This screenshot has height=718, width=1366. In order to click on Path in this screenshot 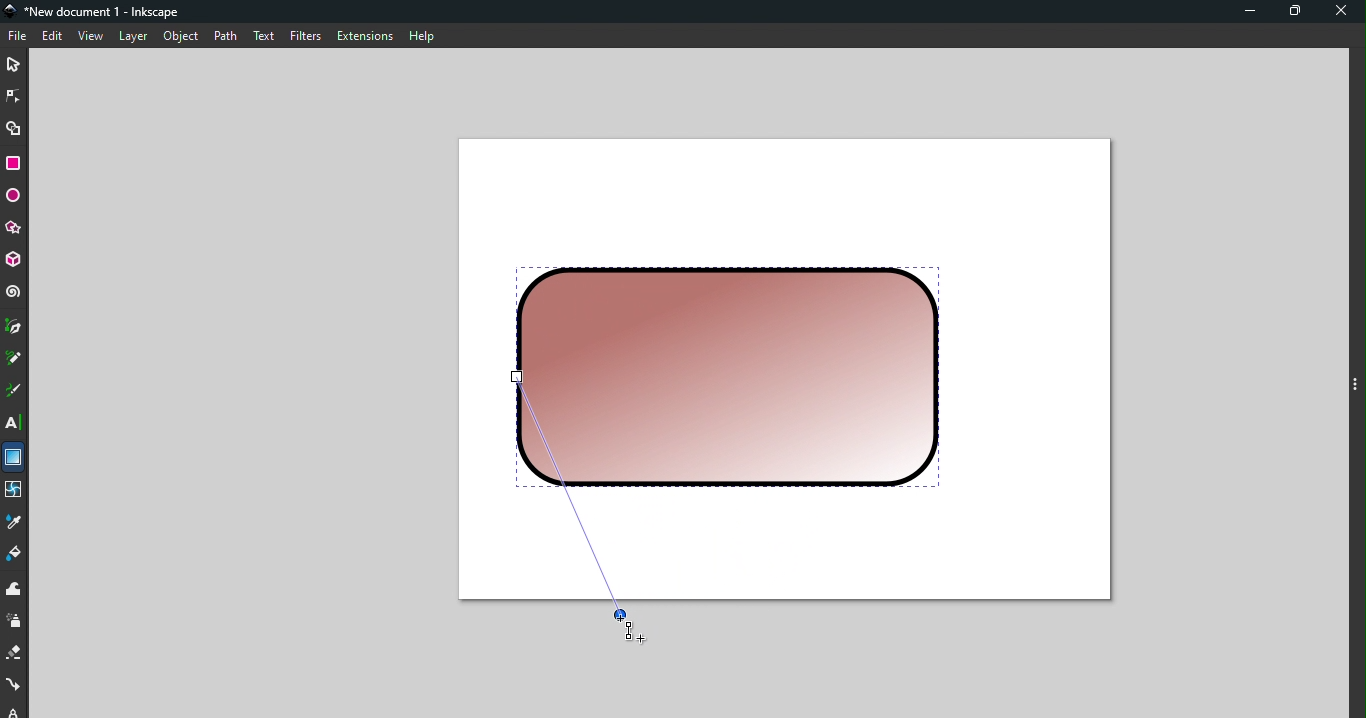, I will do `click(221, 35)`.